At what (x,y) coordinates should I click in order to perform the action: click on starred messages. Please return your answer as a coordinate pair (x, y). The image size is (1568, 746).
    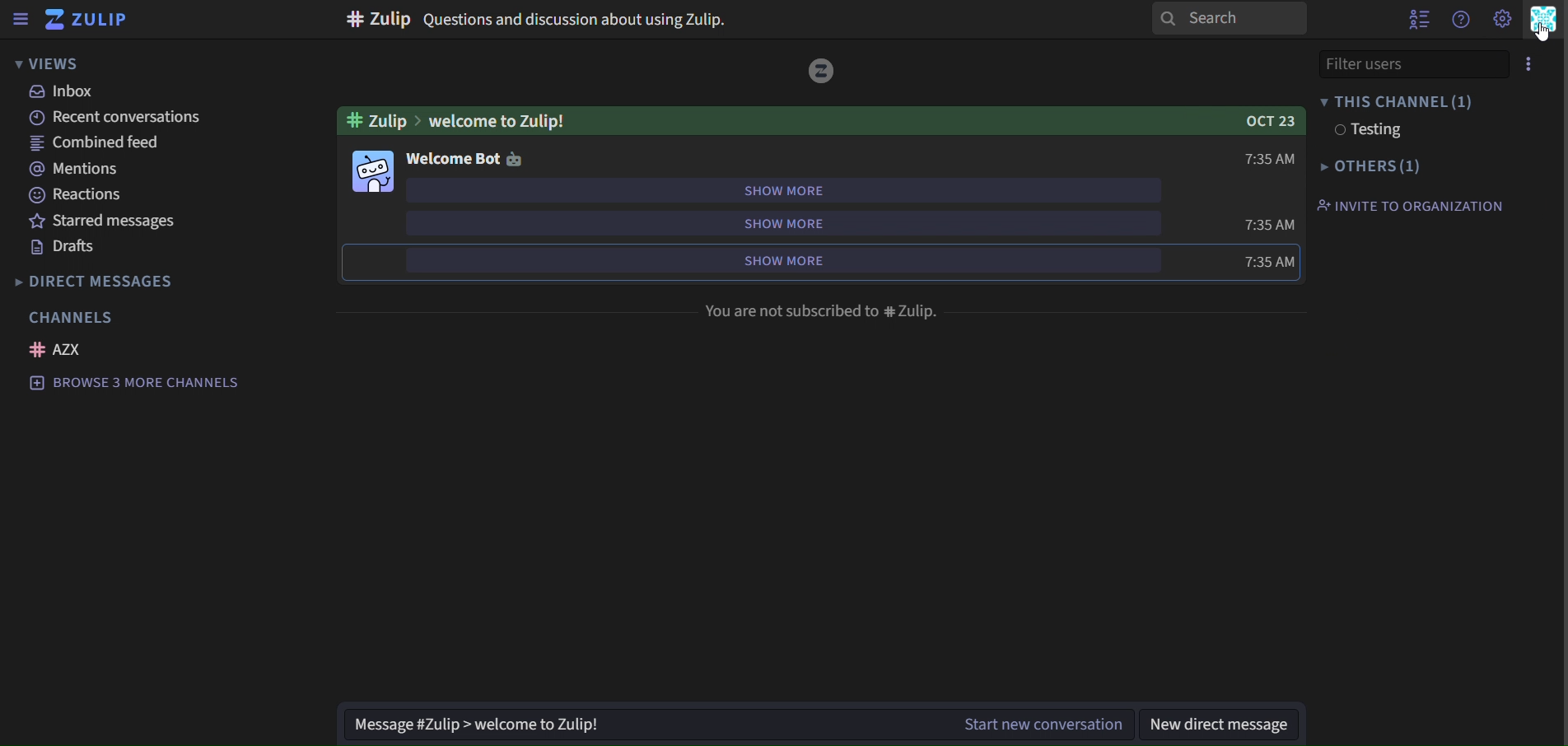
    Looking at the image, I should click on (105, 221).